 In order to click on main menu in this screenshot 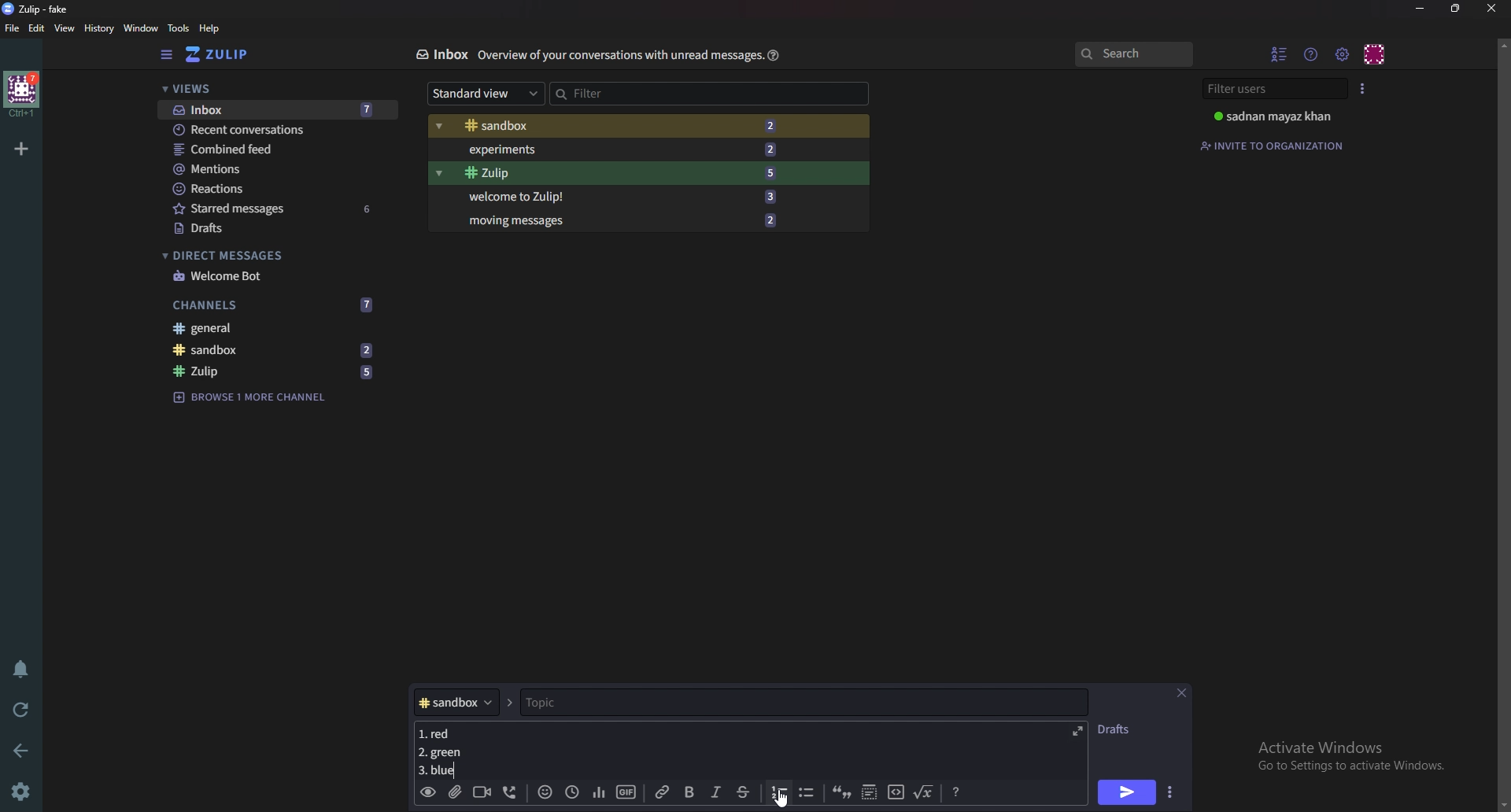, I will do `click(1343, 54)`.